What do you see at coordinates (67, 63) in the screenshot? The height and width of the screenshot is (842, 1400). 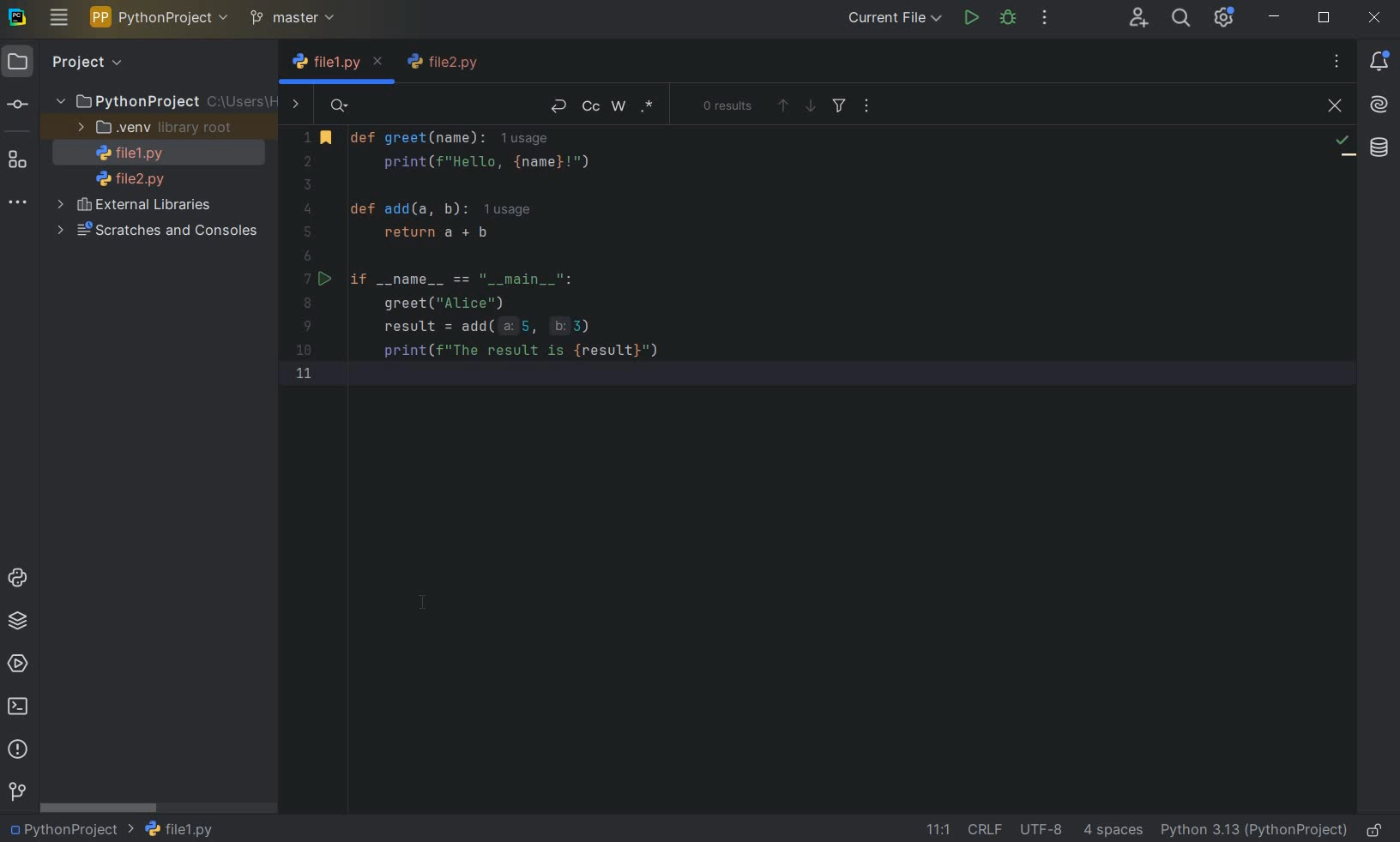 I see `PROJECT` at bounding box center [67, 63].